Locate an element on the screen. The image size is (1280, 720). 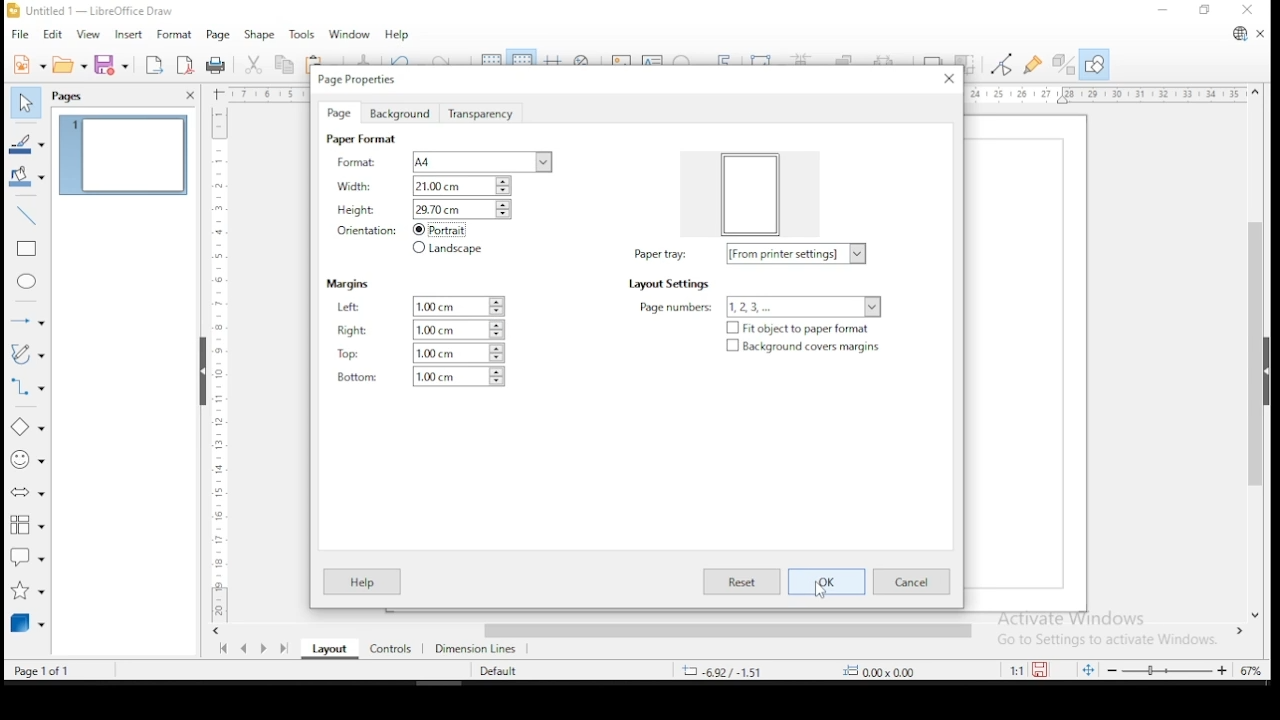
checkbox: fit object to paper format is located at coordinates (803, 327).